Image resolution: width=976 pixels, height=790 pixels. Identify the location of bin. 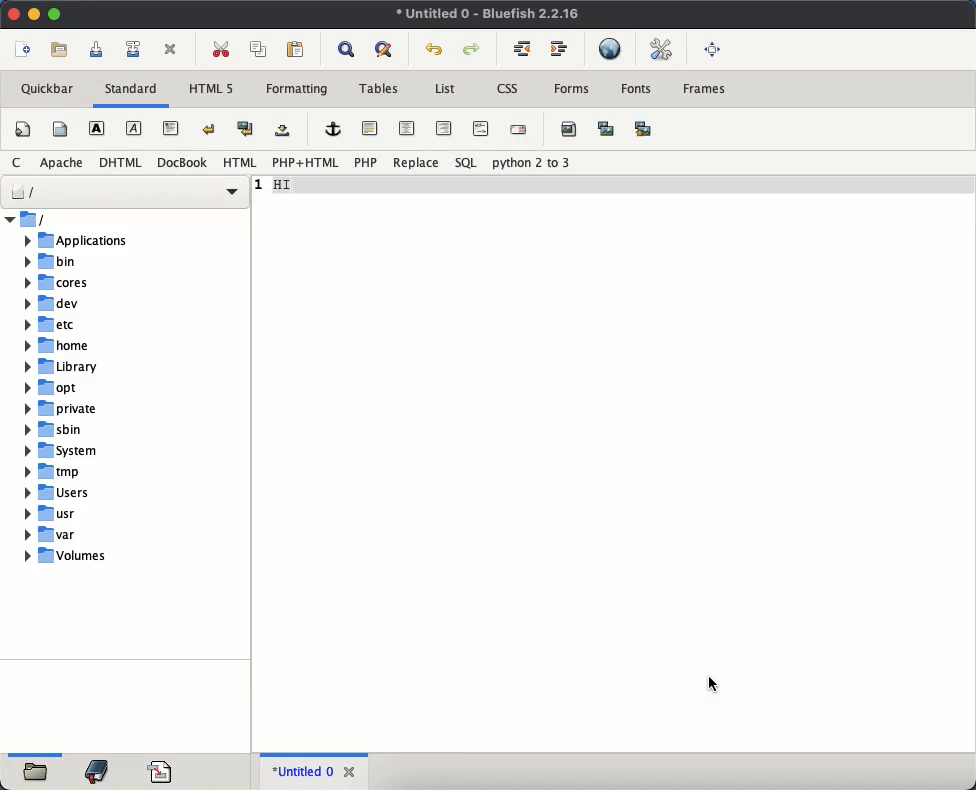
(98, 261).